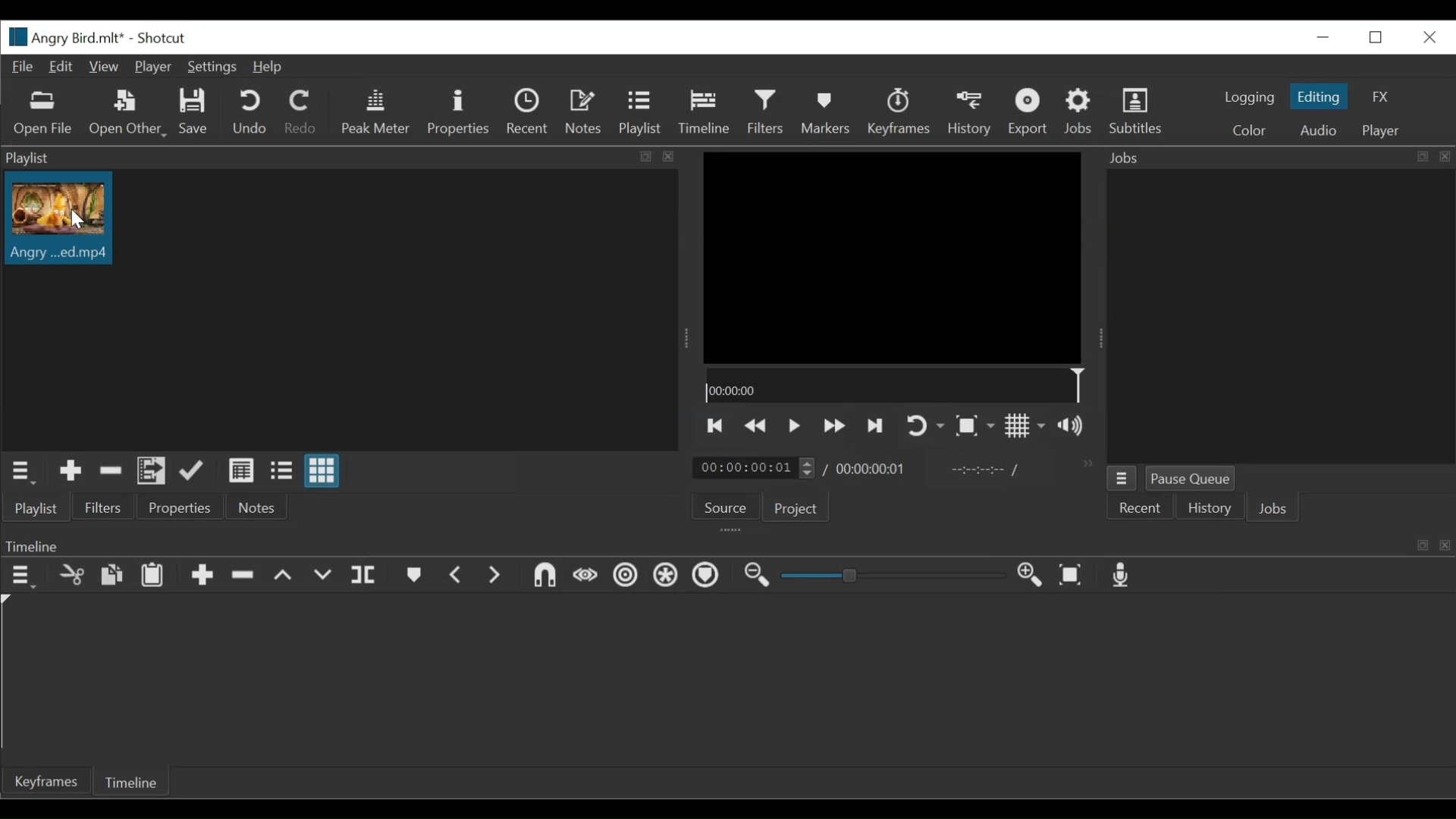 This screenshot has width=1456, height=819. I want to click on Shotcut, so click(165, 39).